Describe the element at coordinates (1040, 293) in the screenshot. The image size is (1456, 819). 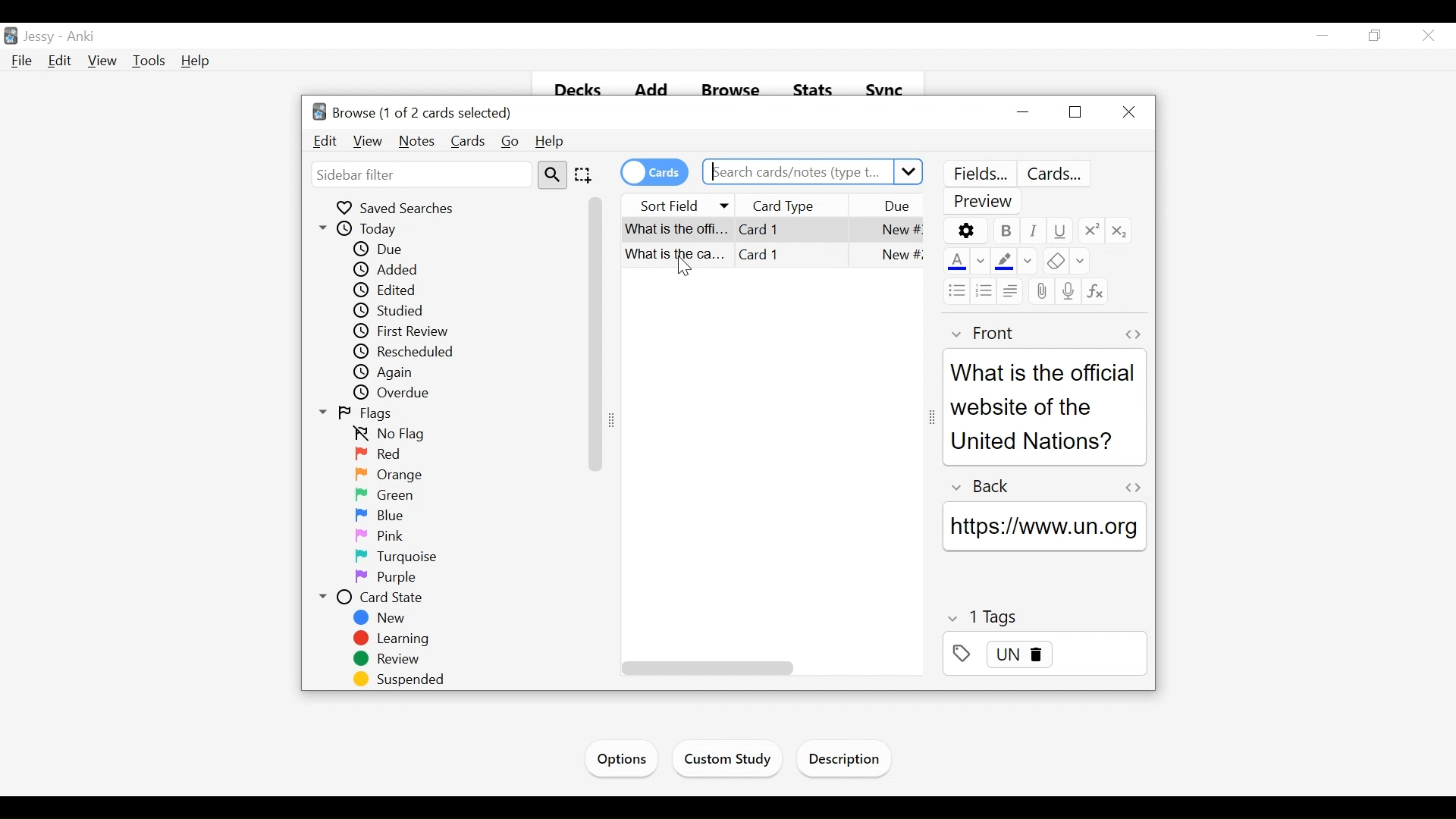
I see `Upload files/pictures/Images` at that location.